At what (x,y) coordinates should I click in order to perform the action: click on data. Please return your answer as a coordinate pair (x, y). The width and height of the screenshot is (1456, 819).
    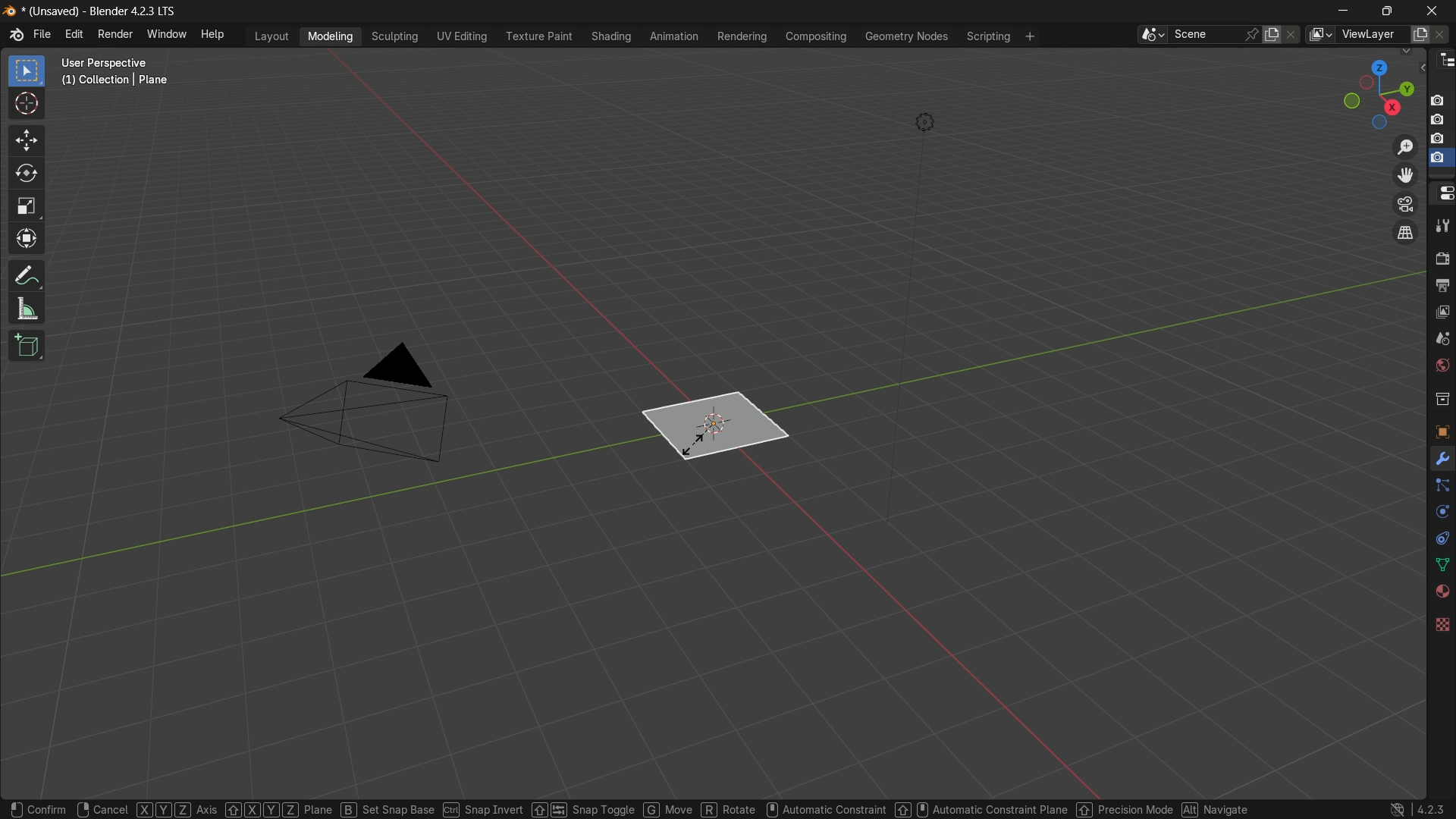
    Looking at the image, I should click on (1441, 565).